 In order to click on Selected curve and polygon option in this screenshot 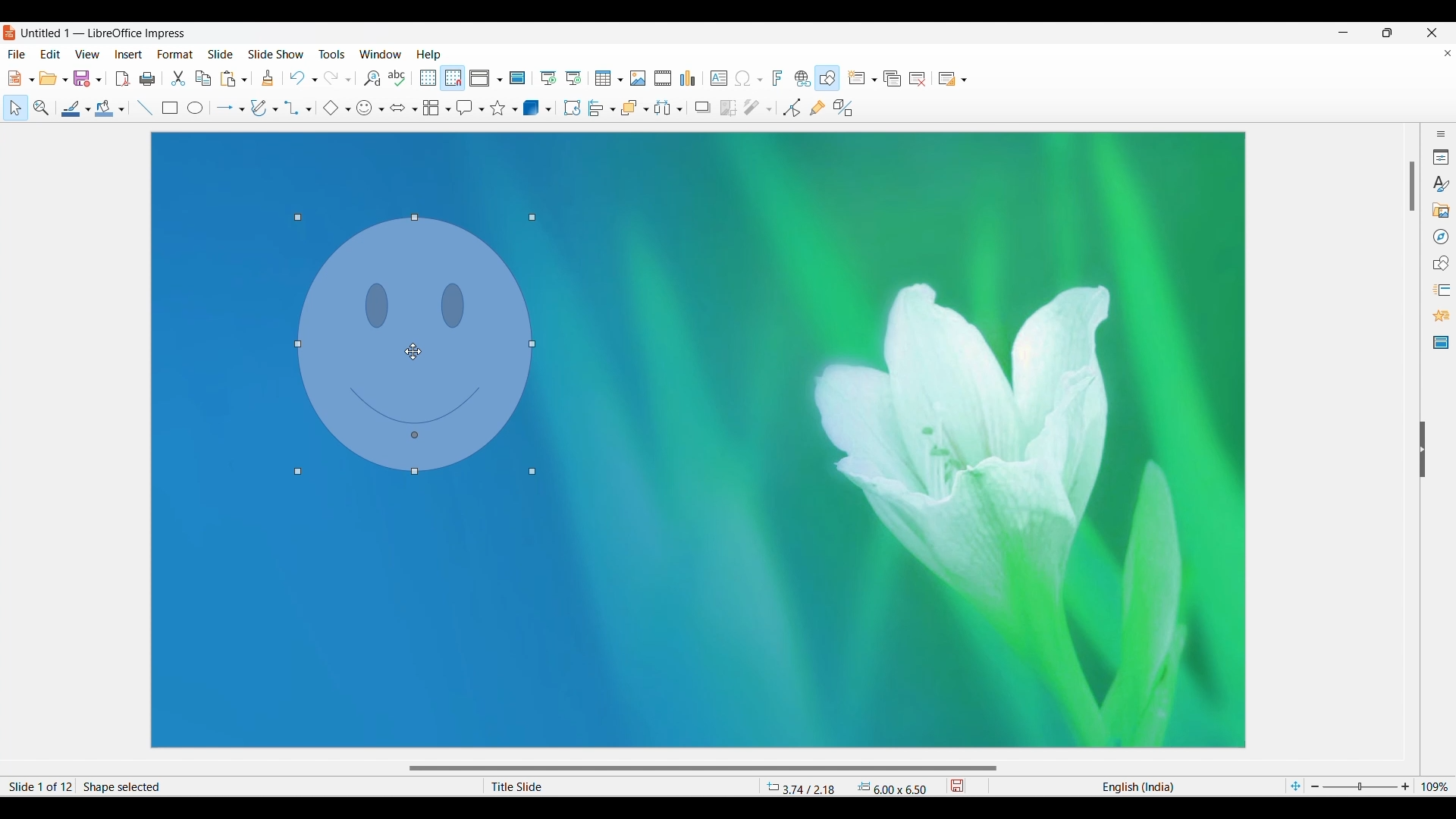, I will do `click(259, 108)`.